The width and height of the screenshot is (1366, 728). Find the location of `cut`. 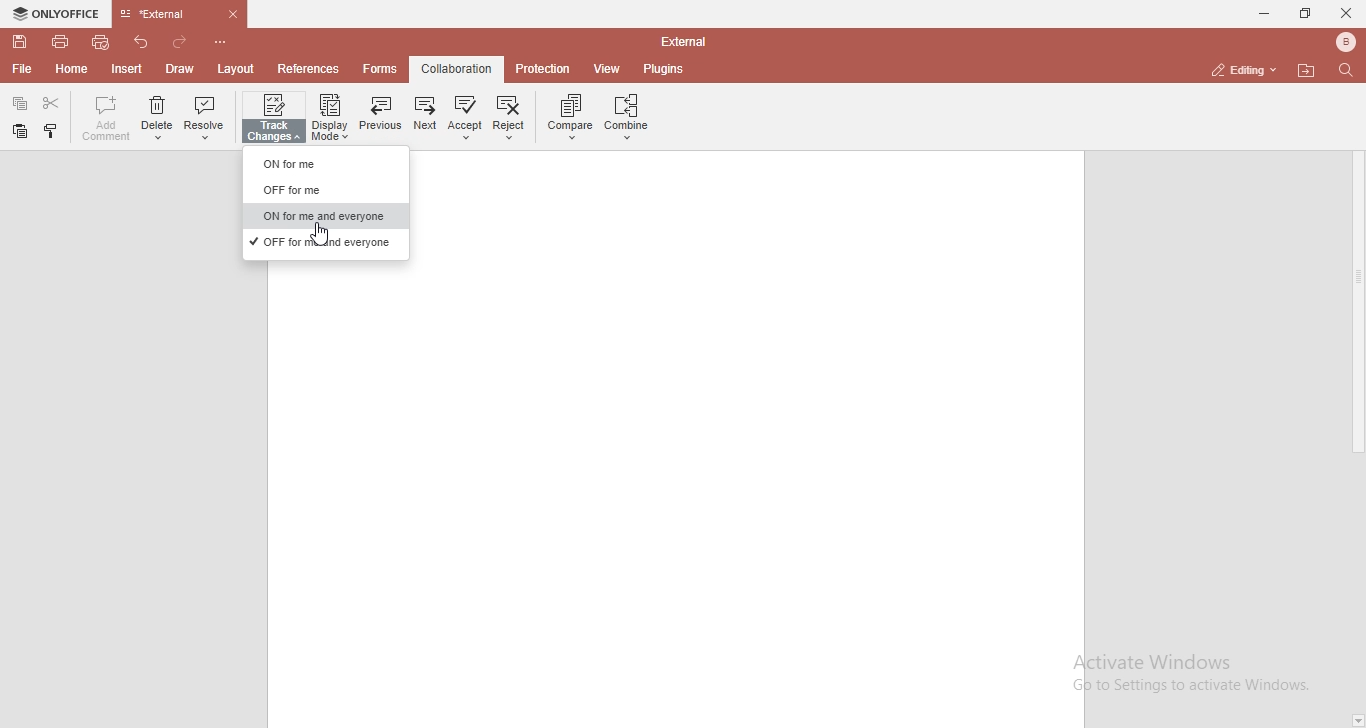

cut is located at coordinates (51, 102).